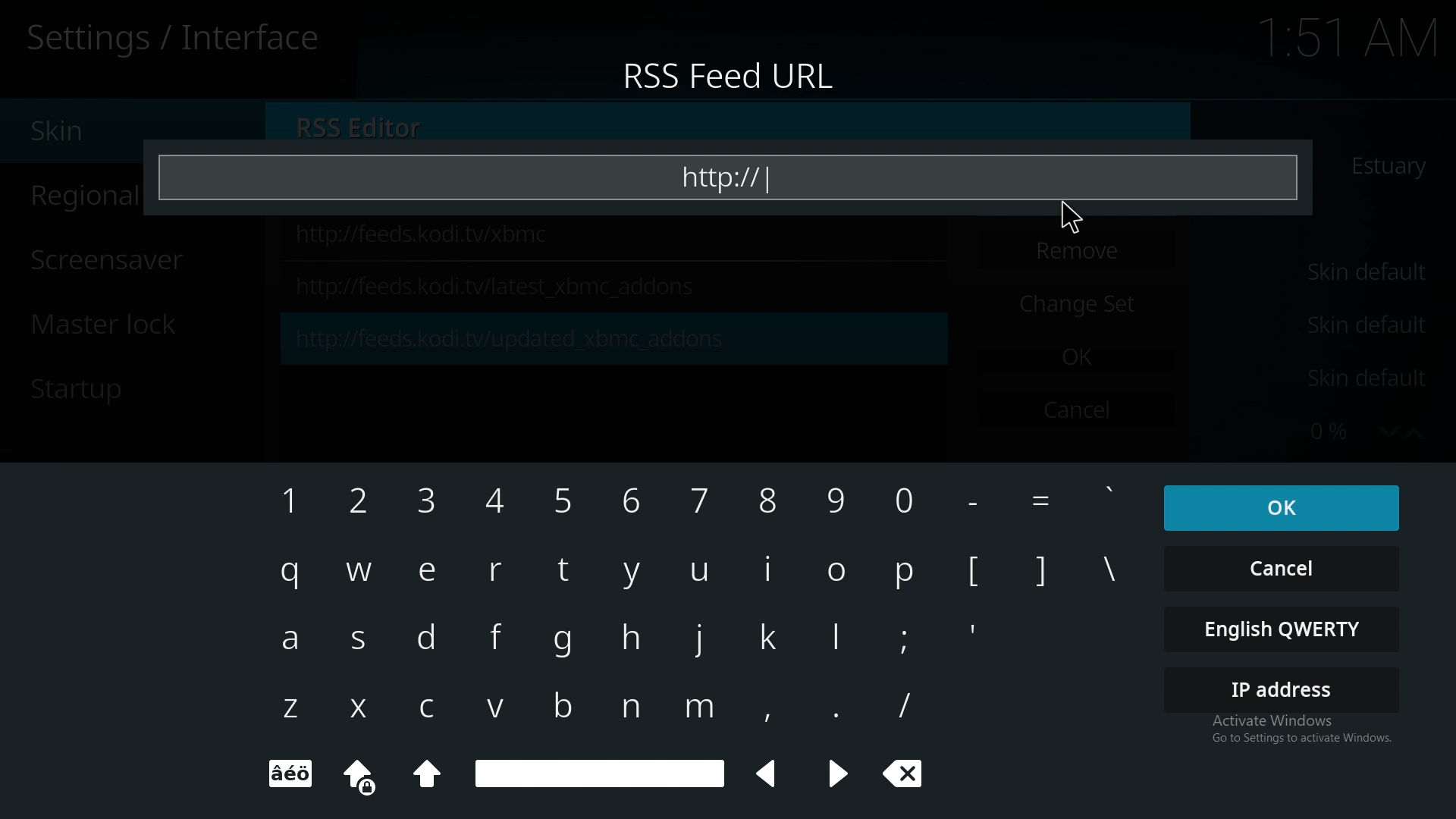 This screenshot has height=819, width=1456. I want to click on keyboard Input, so click(700, 710).